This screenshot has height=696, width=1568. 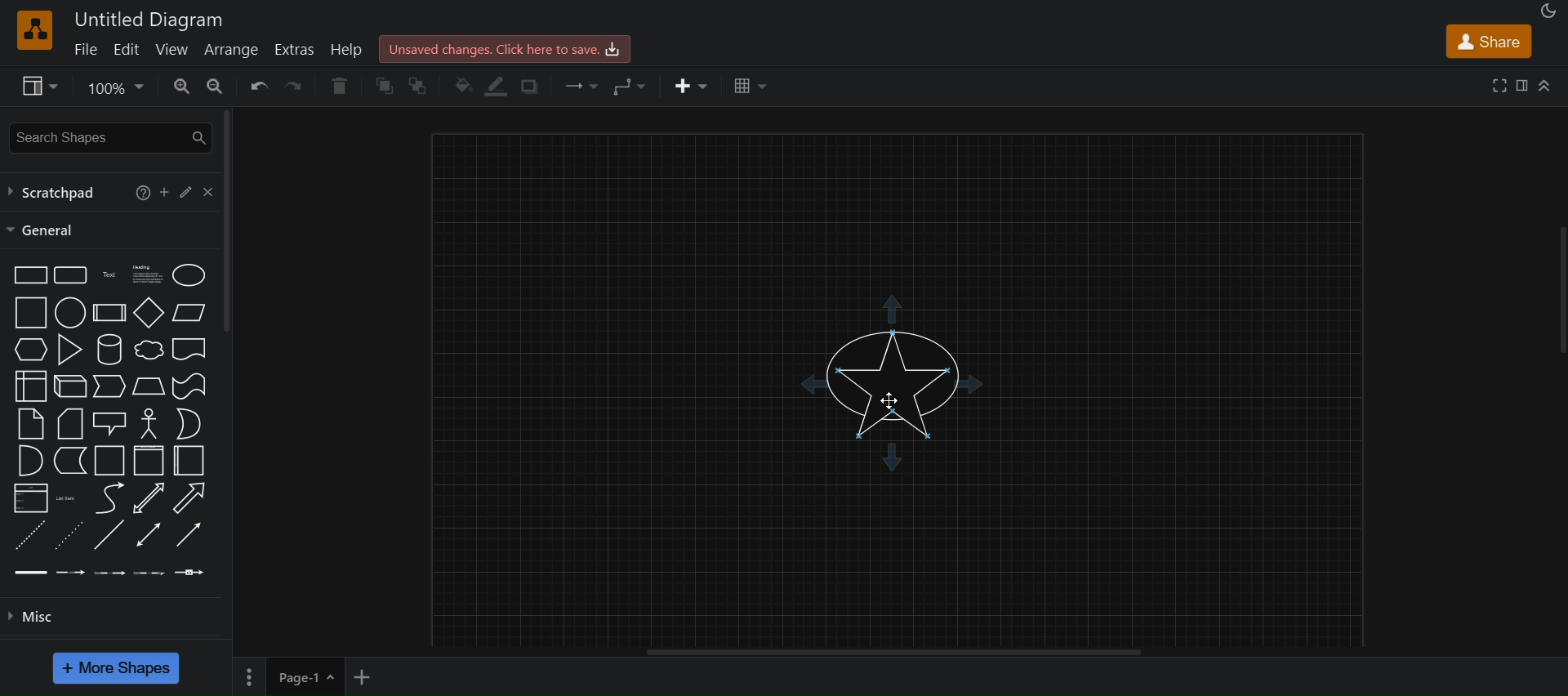 What do you see at coordinates (28, 460) in the screenshot?
I see `and` at bounding box center [28, 460].